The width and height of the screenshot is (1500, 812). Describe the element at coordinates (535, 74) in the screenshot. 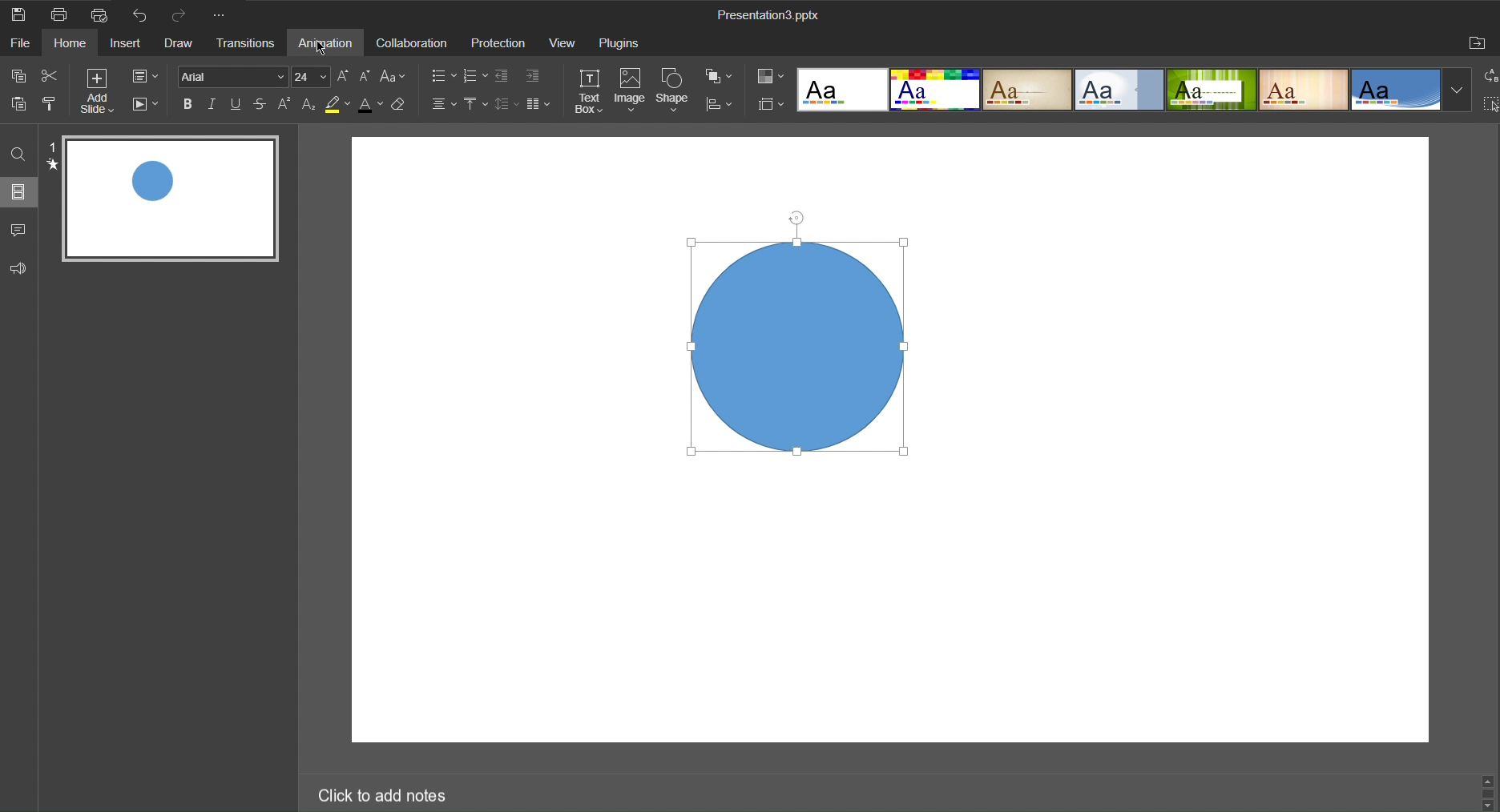

I see `Indent Settings` at that location.